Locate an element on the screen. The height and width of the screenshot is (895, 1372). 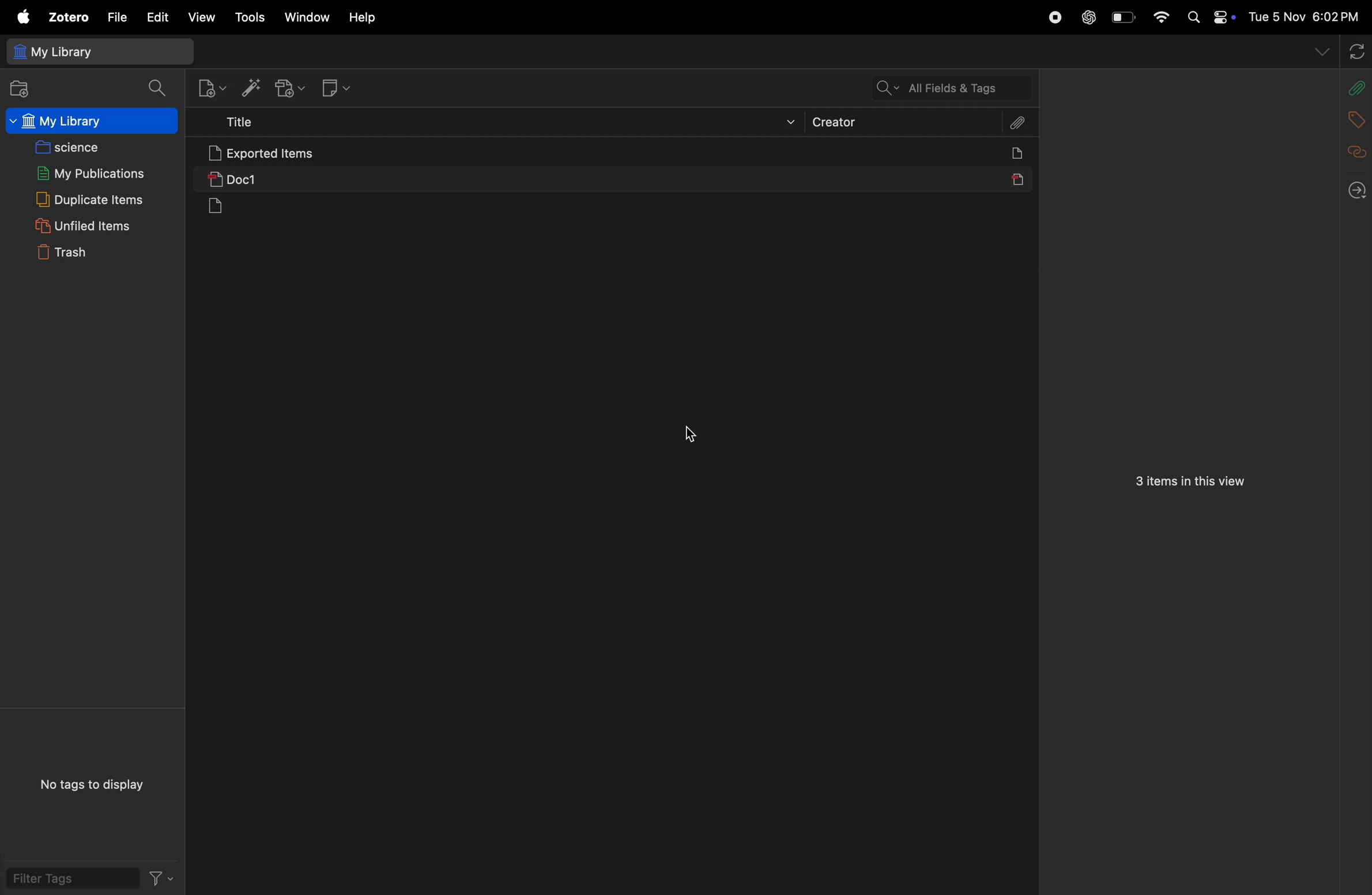
exported items is located at coordinates (311, 153).